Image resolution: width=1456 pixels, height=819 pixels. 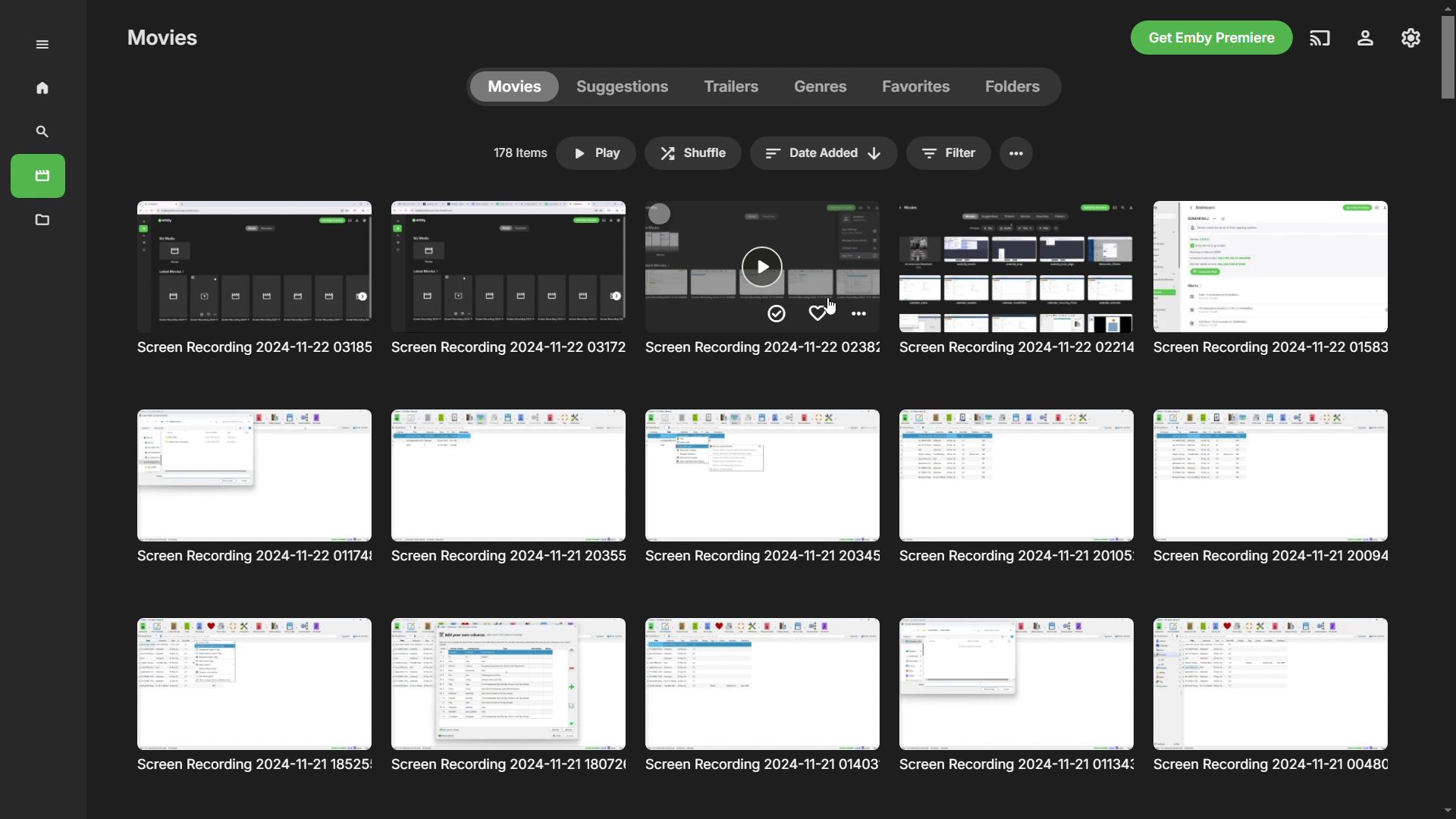 I want to click on , so click(x=1018, y=280).